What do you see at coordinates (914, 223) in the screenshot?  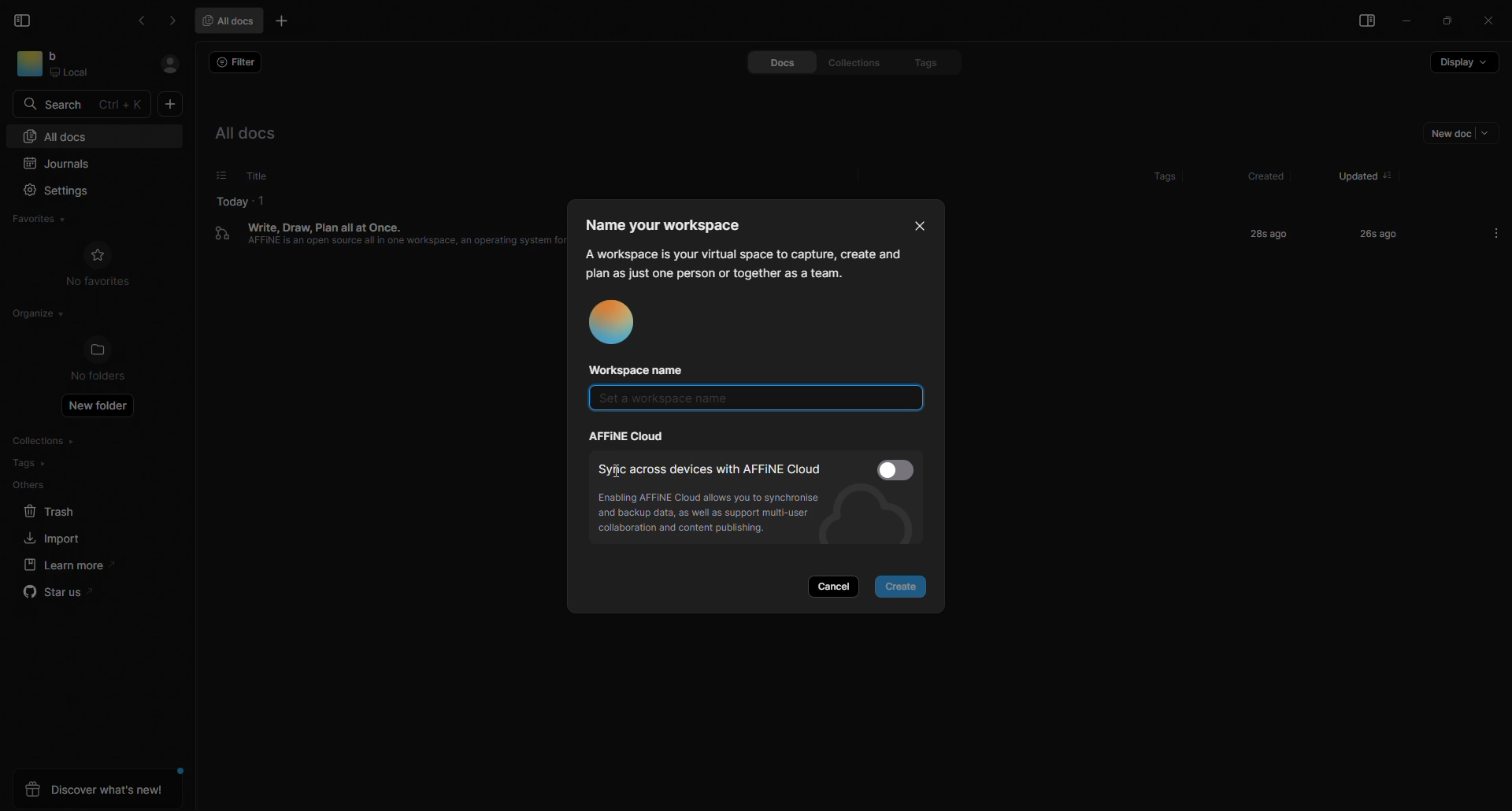 I see `close` at bounding box center [914, 223].